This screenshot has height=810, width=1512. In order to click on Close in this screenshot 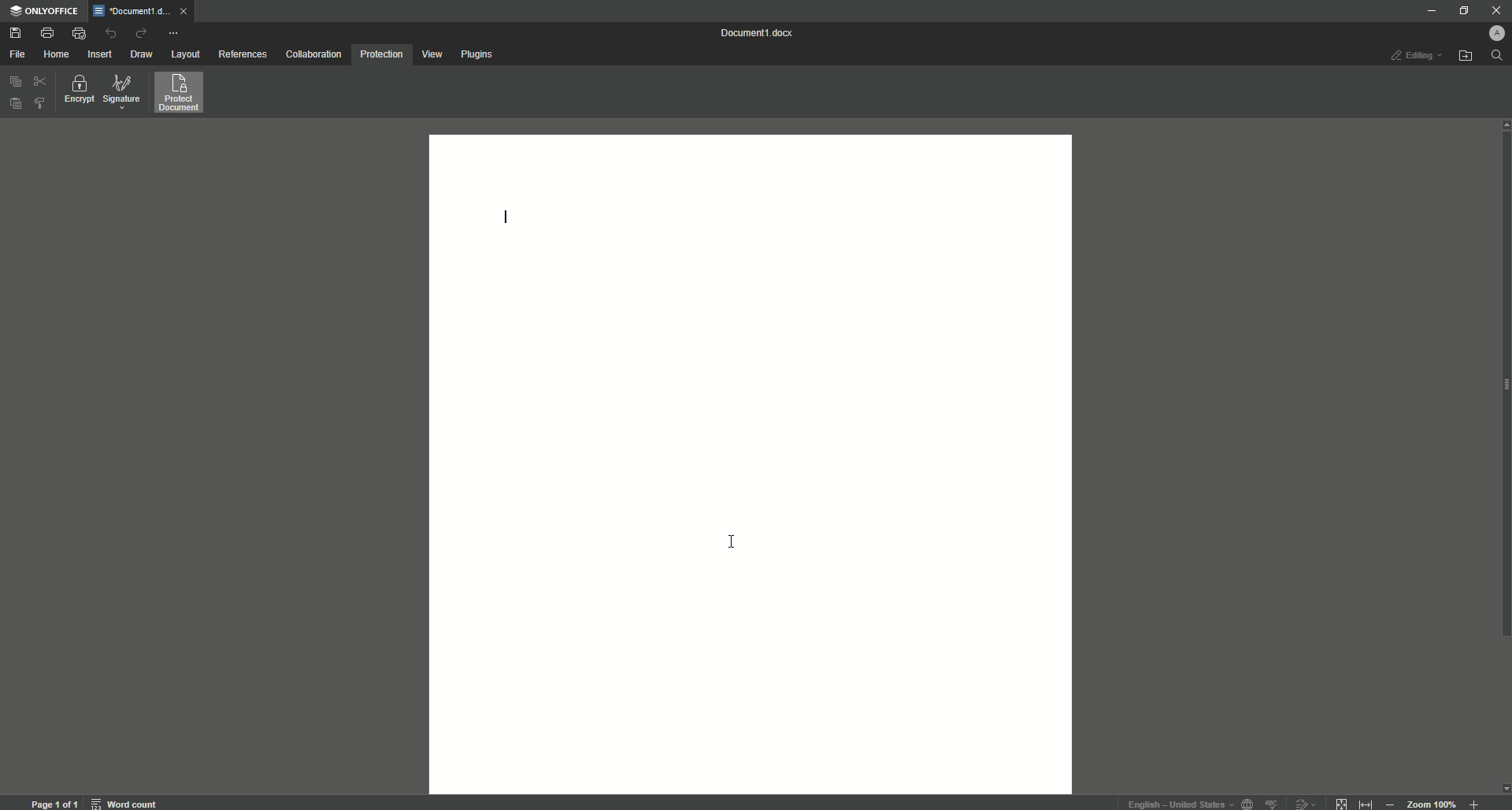, I will do `click(1495, 9)`.